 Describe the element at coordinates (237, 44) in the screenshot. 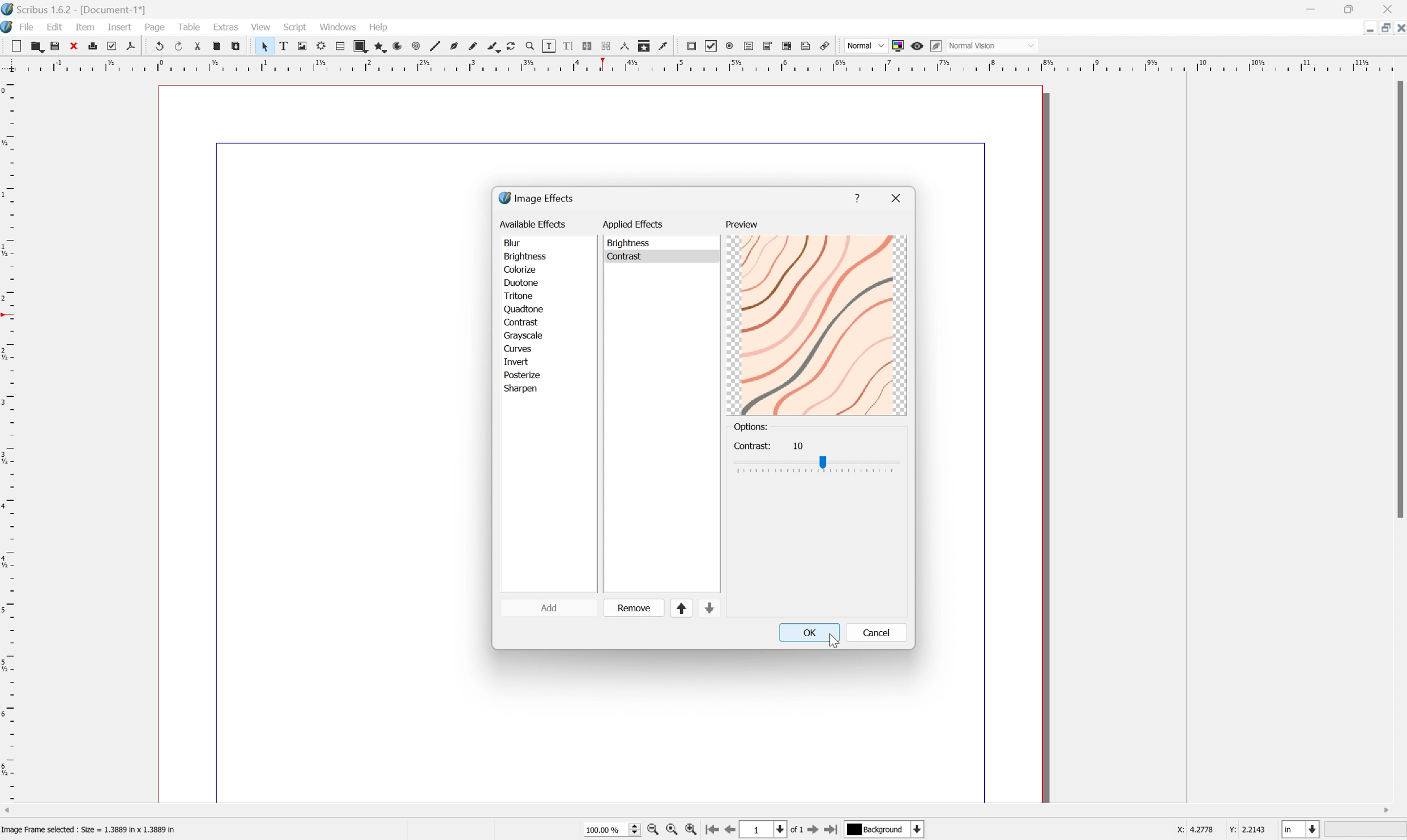

I see `Paste` at that location.